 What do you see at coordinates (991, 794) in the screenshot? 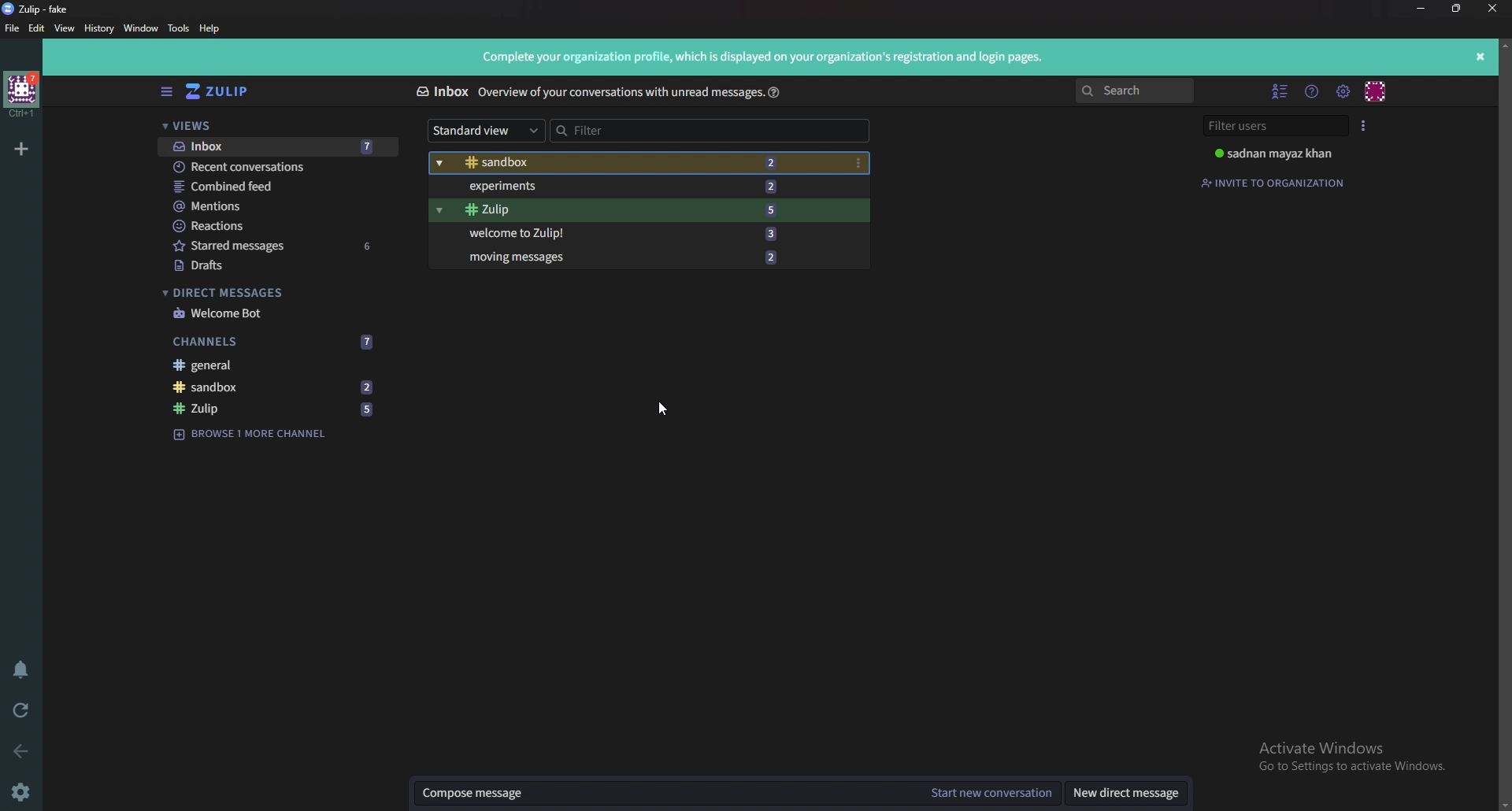
I see `Start new conversation` at bounding box center [991, 794].